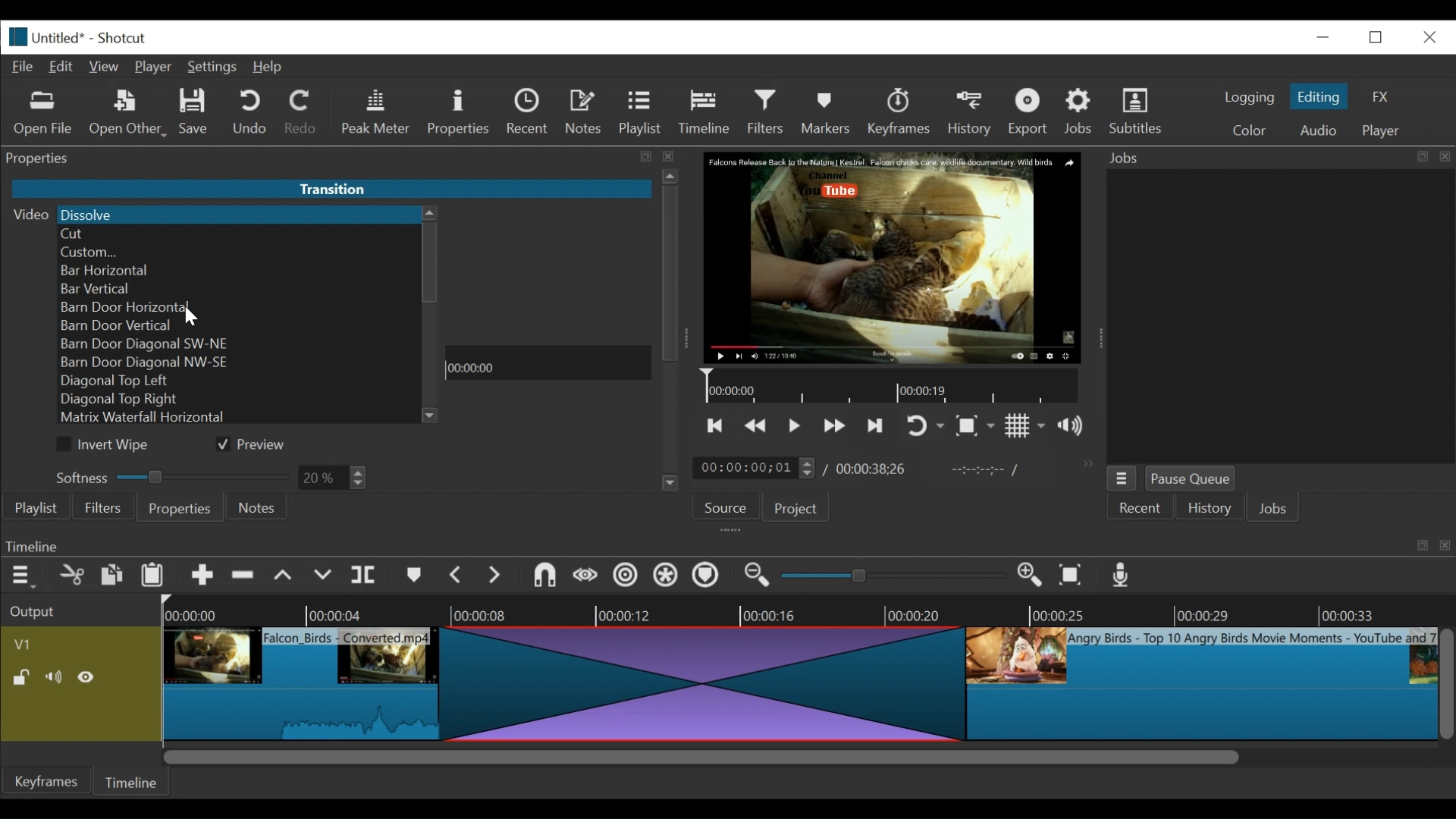 The width and height of the screenshot is (1456, 819). I want to click on Timeline, so click(708, 109).